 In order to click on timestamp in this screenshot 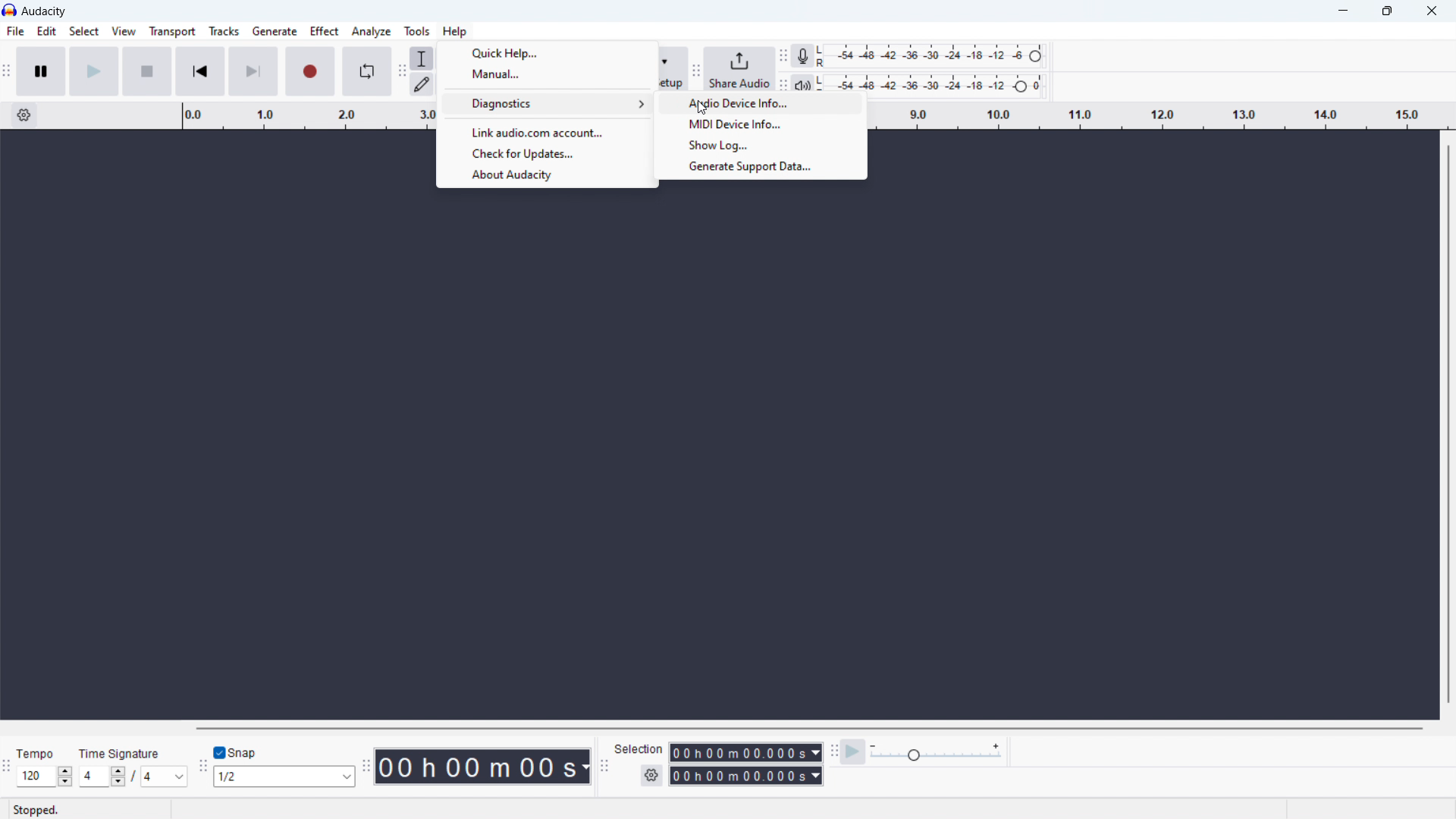, I will do `click(482, 766)`.